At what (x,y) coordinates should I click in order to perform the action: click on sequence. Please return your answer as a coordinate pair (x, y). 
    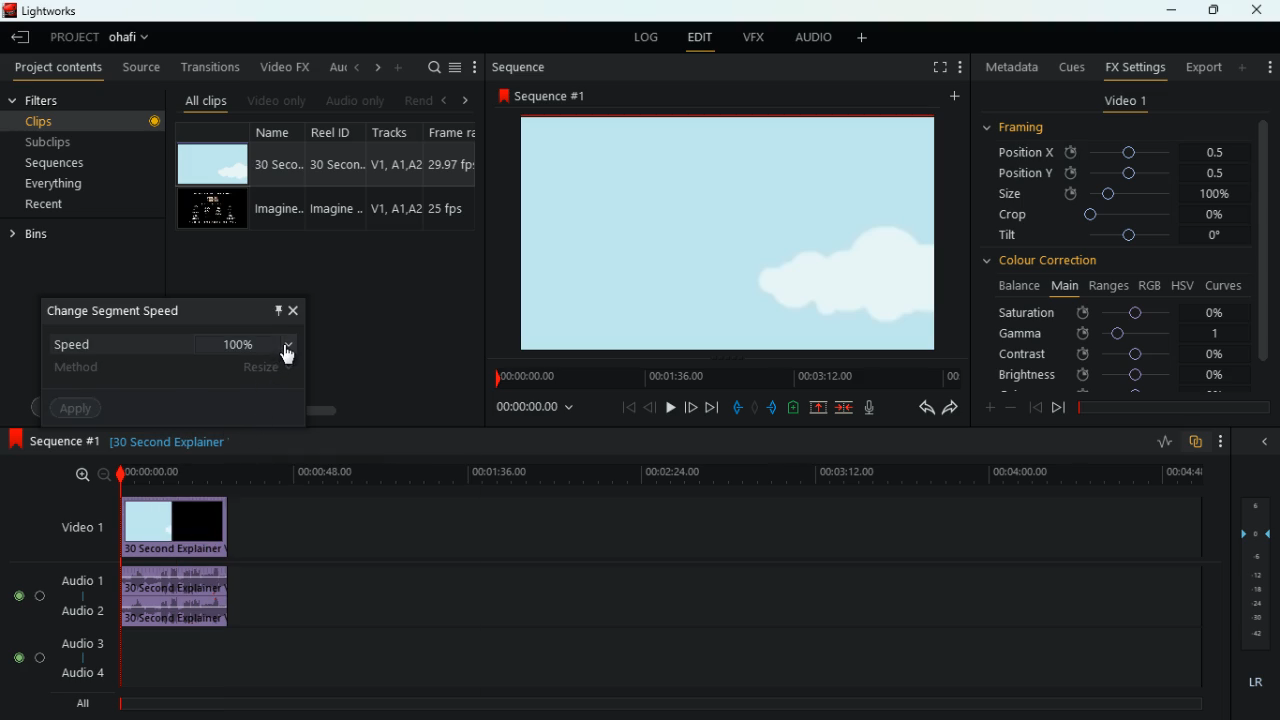
    Looking at the image, I should click on (542, 95).